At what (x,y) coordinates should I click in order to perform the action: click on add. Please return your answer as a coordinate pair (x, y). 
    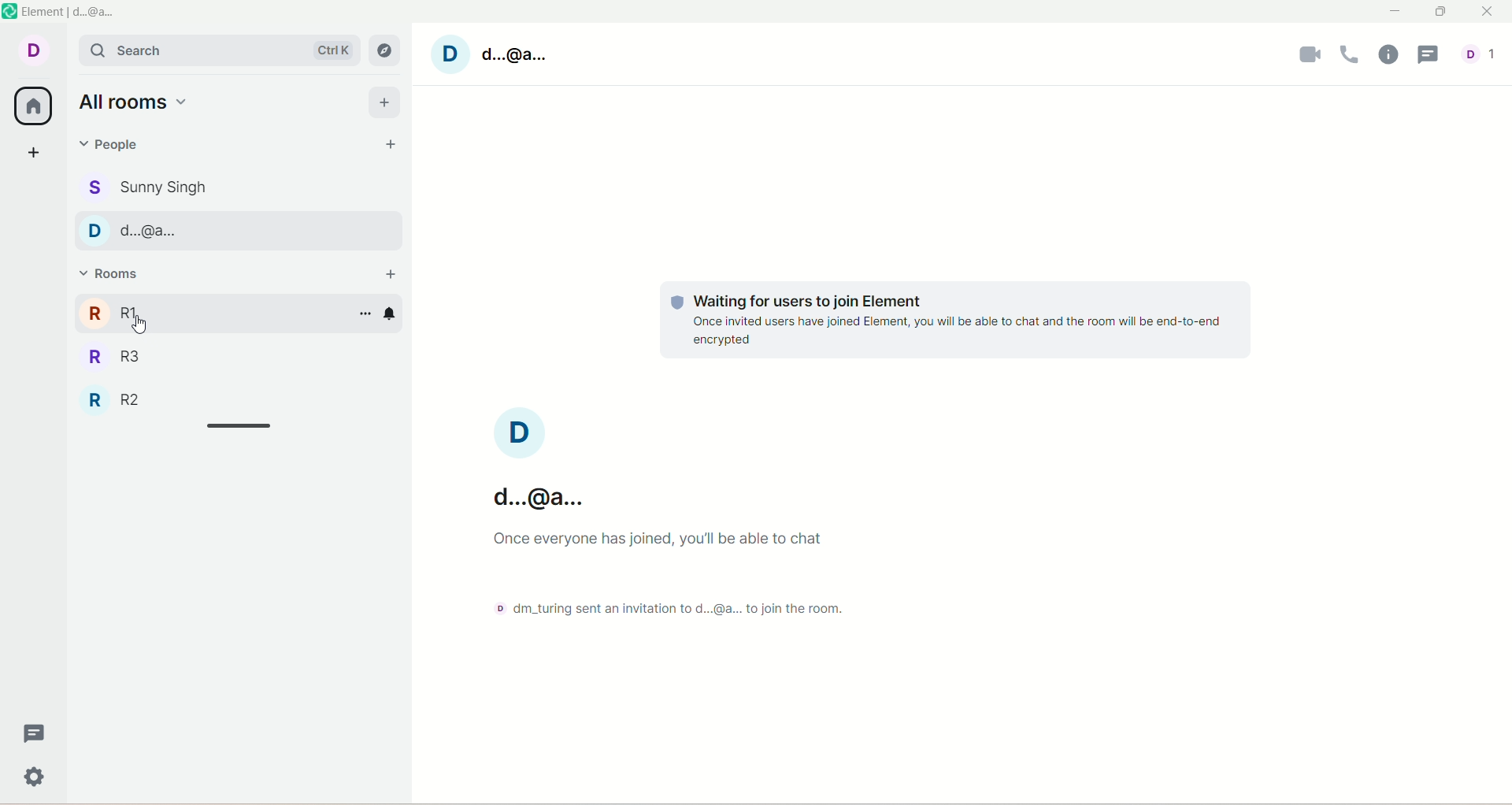
    Looking at the image, I should click on (386, 103).